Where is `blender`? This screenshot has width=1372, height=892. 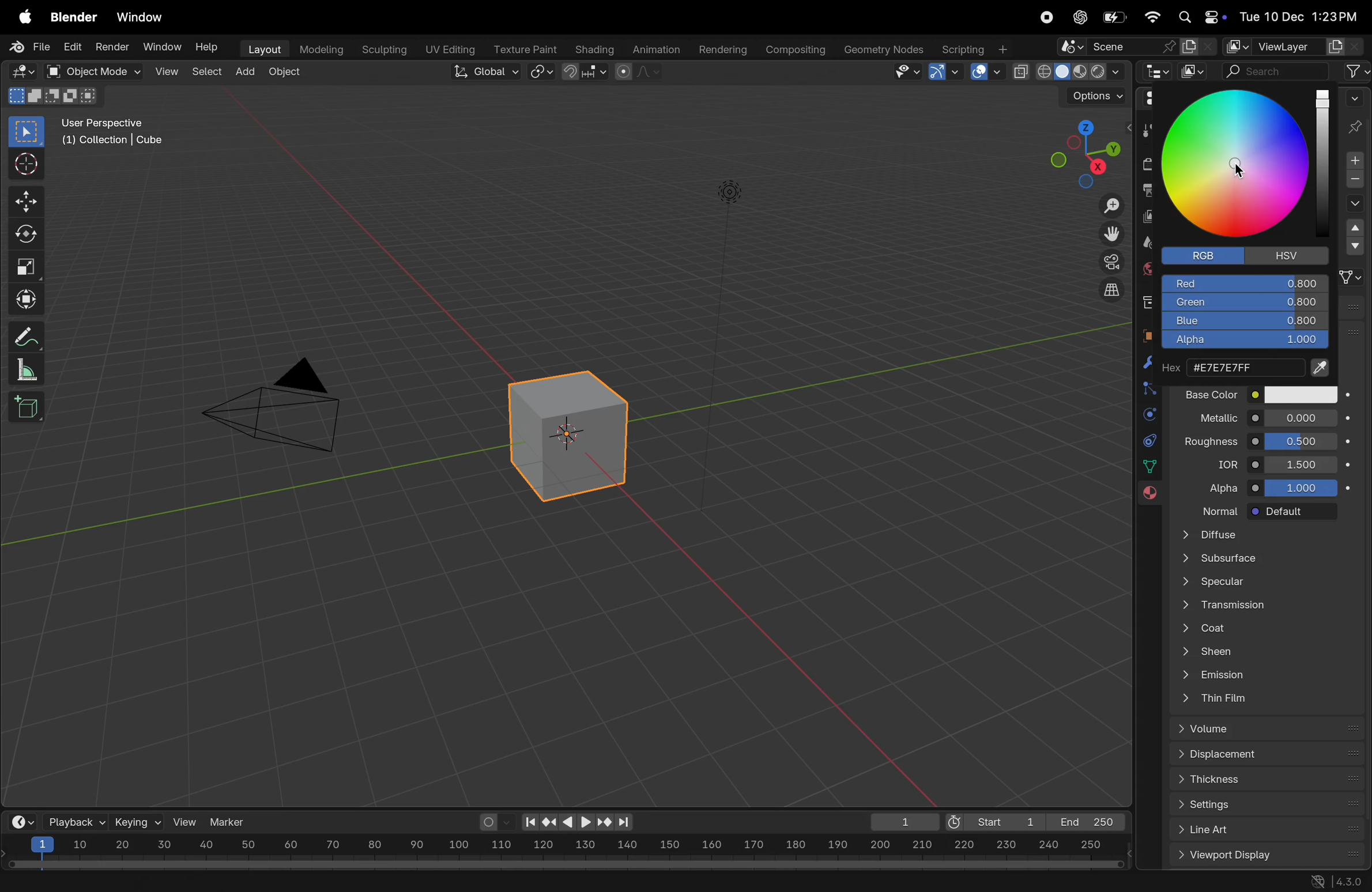 blender is located at coordinates (74, 18).